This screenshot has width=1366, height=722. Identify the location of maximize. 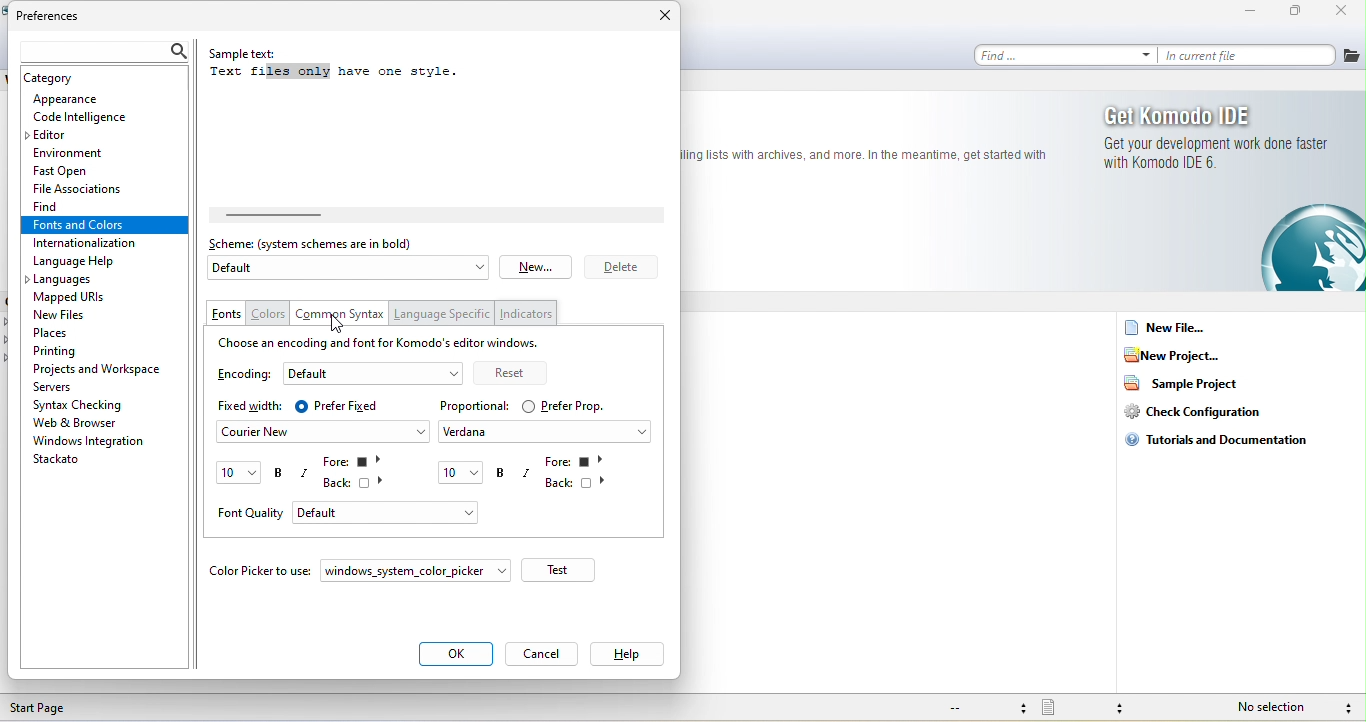
(1288, 12).